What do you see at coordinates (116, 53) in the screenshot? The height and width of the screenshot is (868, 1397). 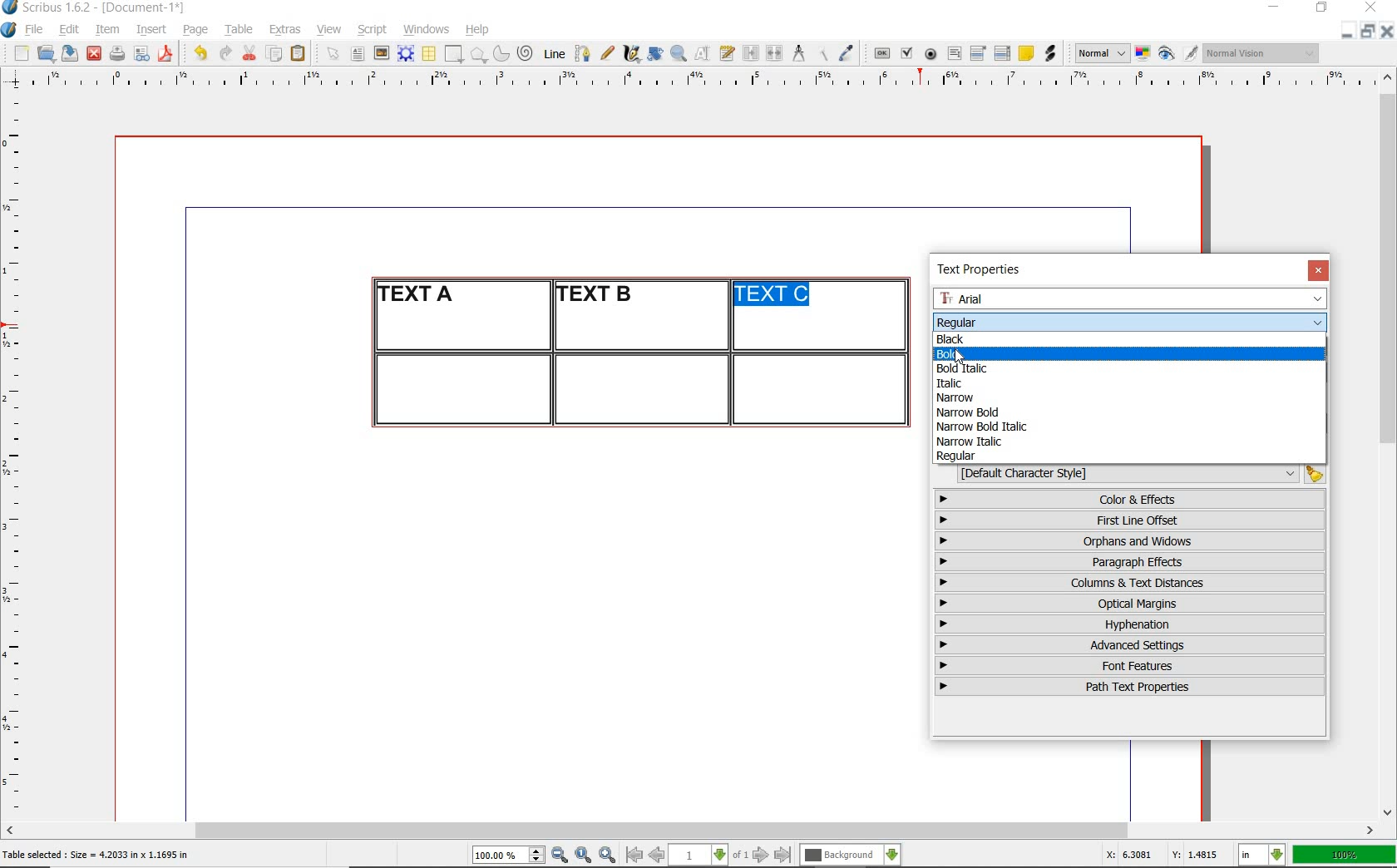 I see `print` at bounding box center [116, 53].